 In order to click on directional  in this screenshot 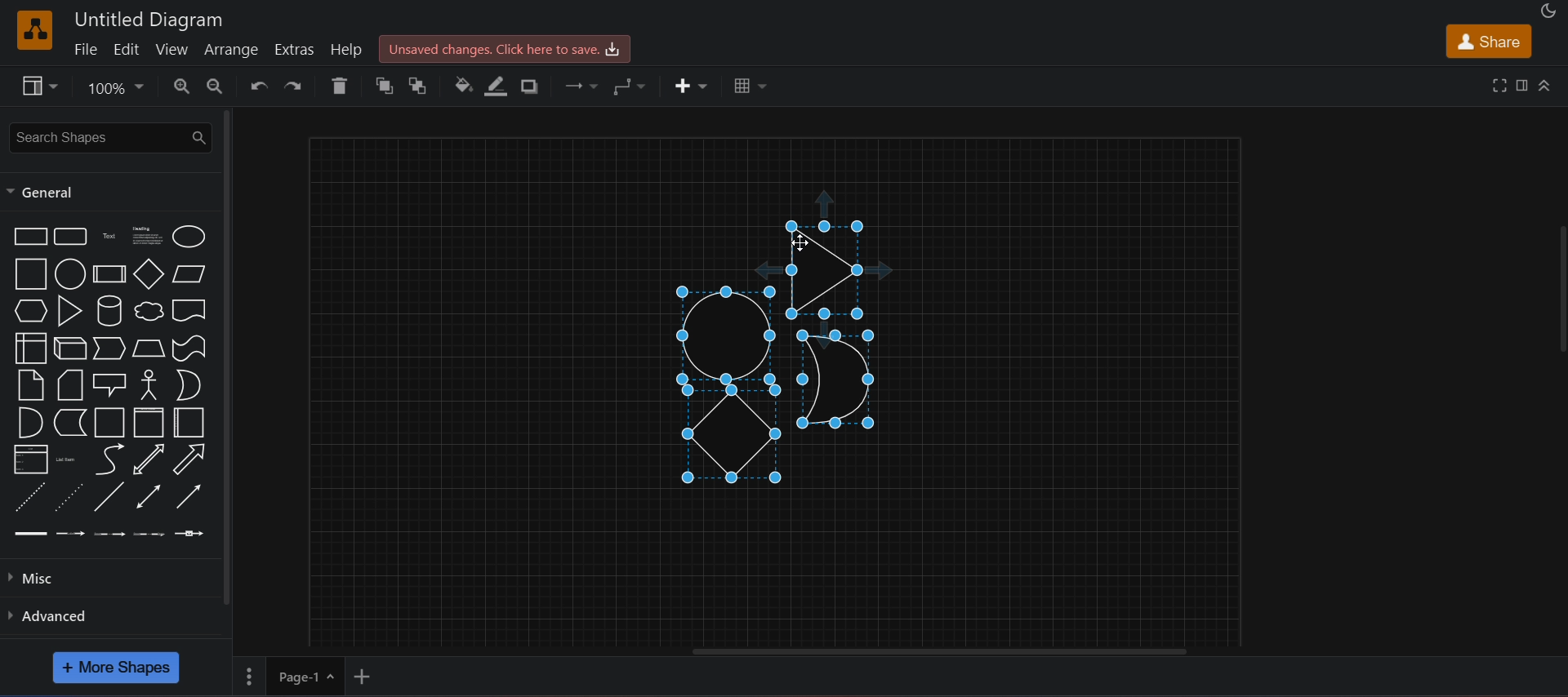, I will do `click(187, 498)`.